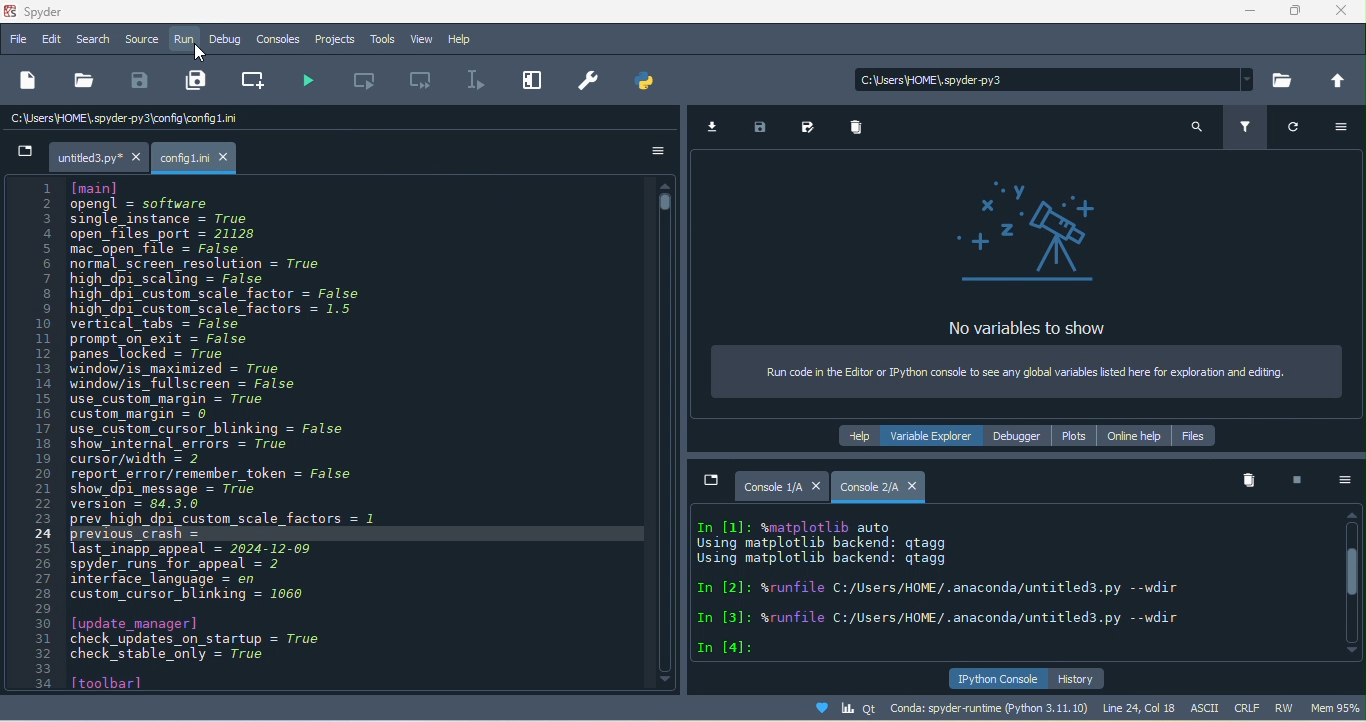 This screenshot has width=1366, height=722. What do you see at coordinates (1024, 369) in the screenshot?
I see `run code in the editor ` at bounding box center [1024, 369].